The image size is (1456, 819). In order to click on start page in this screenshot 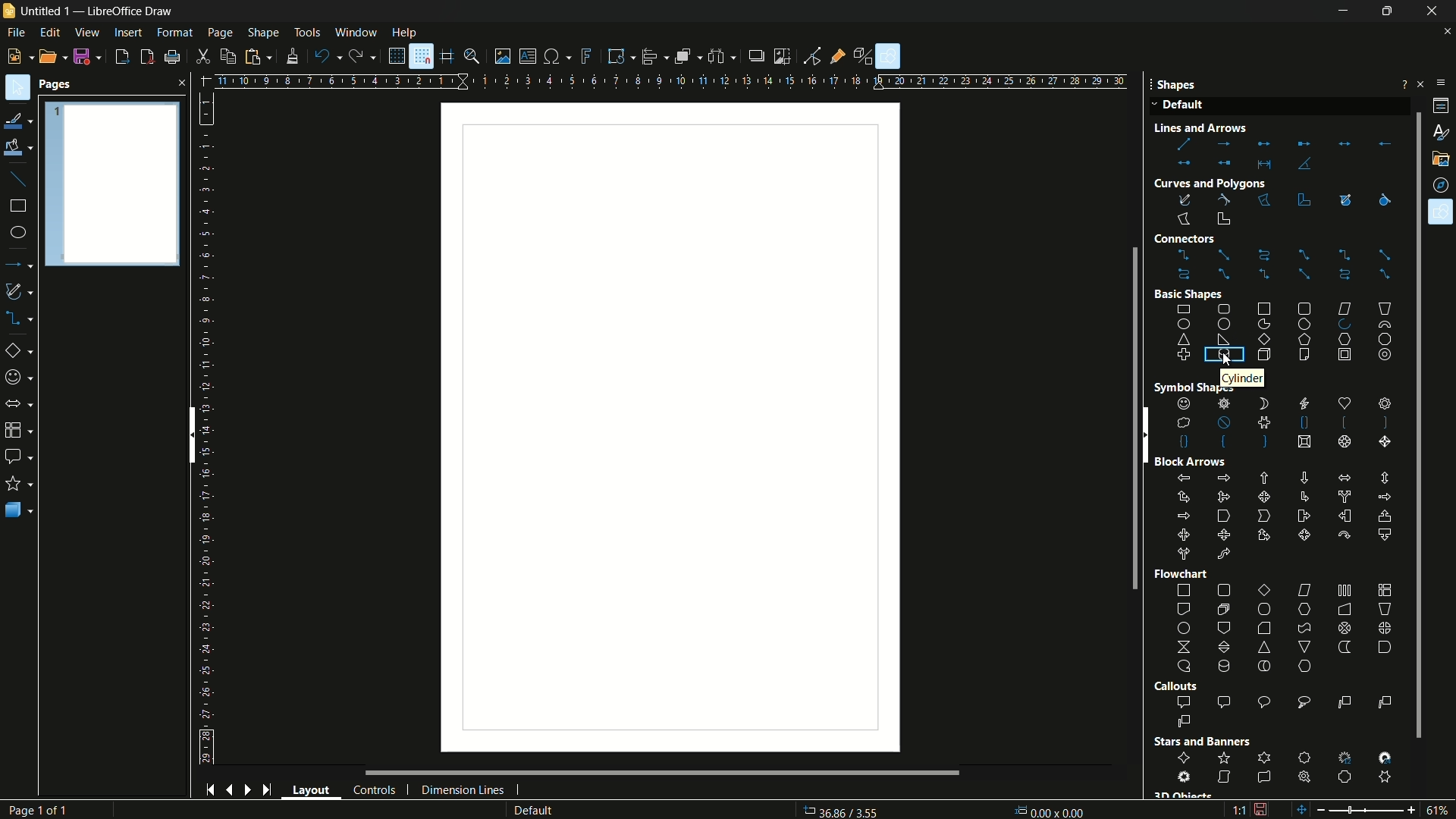, I will do `click(209, 789)`.